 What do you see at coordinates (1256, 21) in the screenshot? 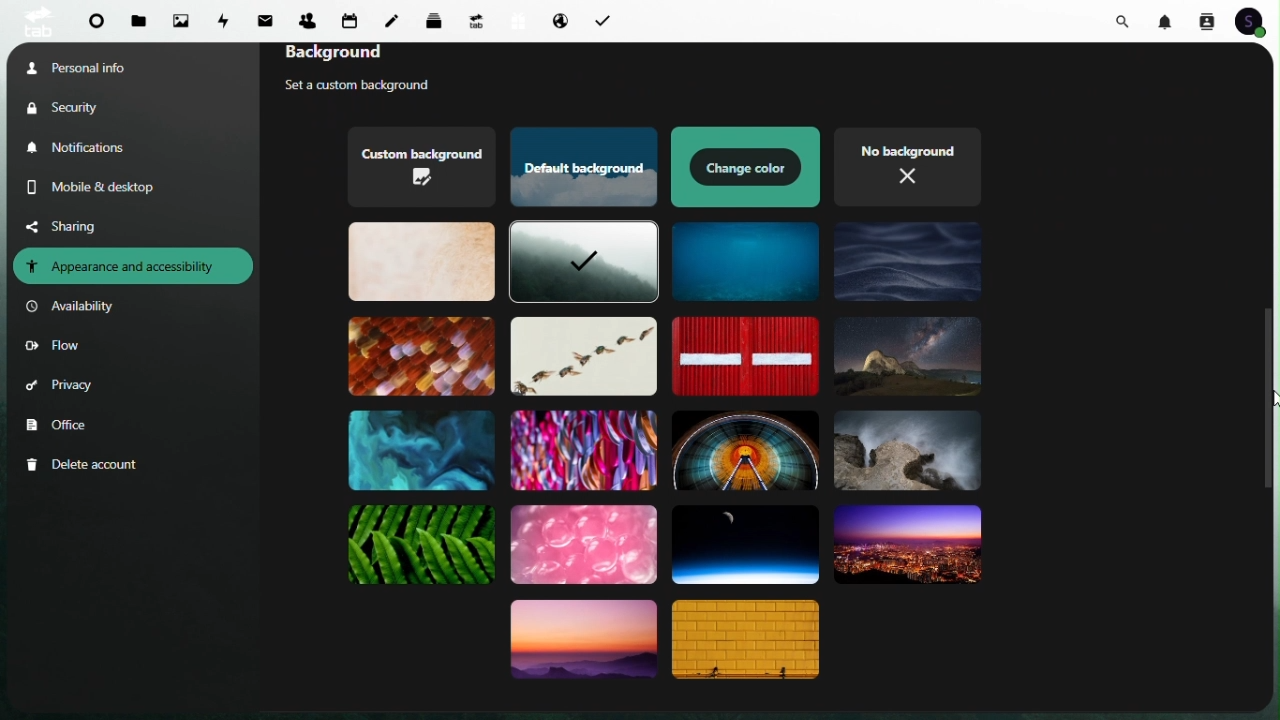
I see `Account icon` at bounding box center [1256, 21].